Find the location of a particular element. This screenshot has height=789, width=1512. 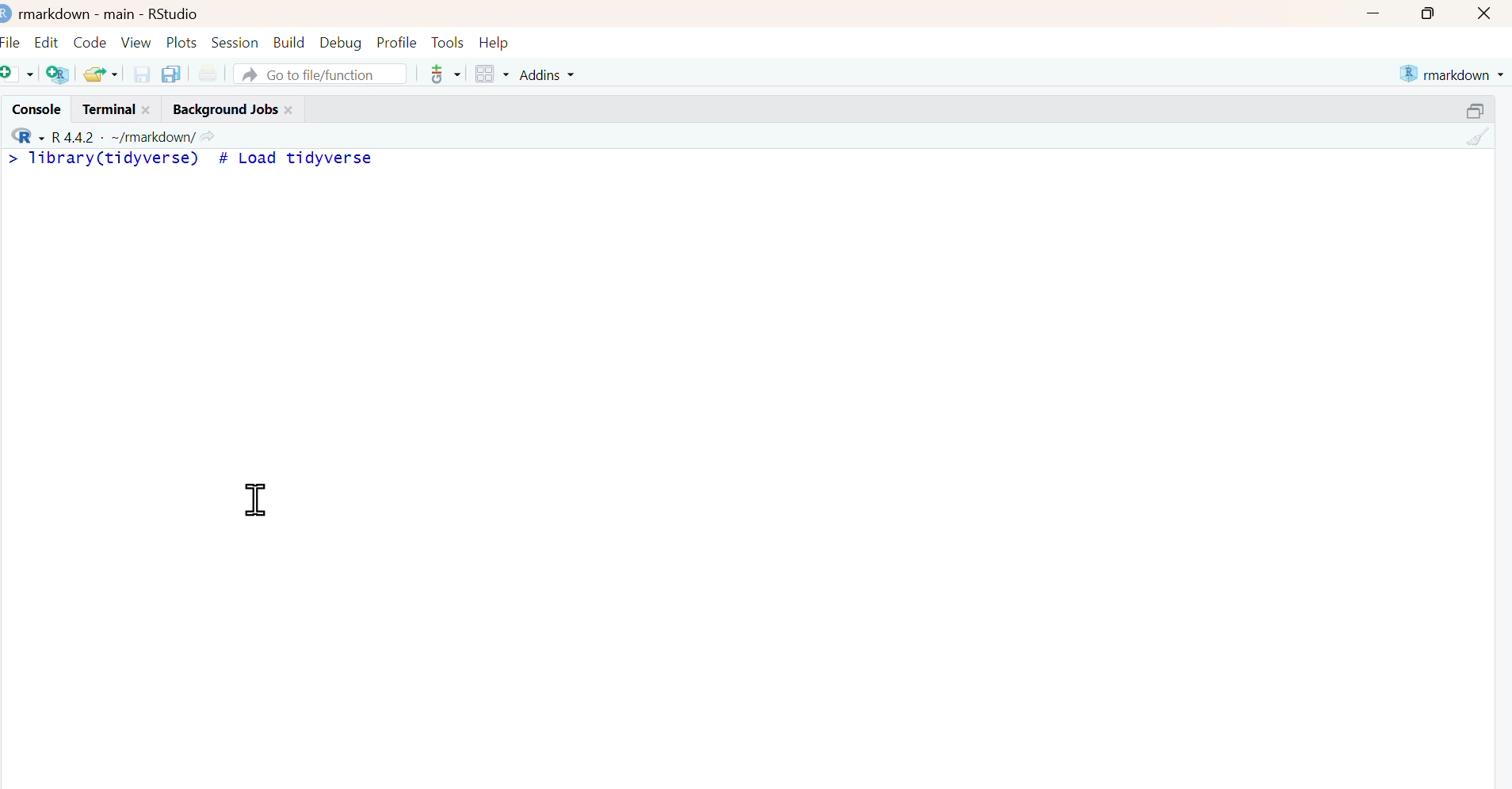

close is located at coordinates (151, 109).